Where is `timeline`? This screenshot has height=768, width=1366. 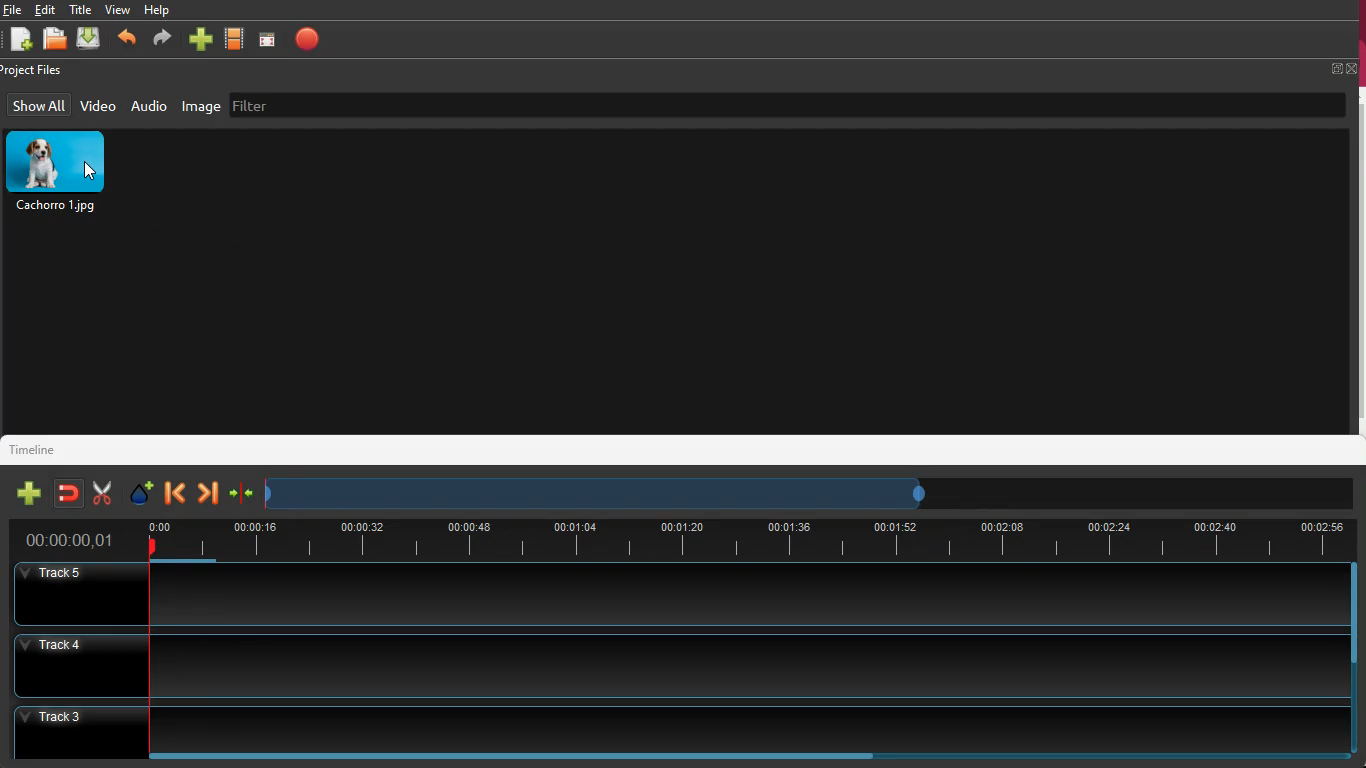
timeline is located at coordinates (602, 493).